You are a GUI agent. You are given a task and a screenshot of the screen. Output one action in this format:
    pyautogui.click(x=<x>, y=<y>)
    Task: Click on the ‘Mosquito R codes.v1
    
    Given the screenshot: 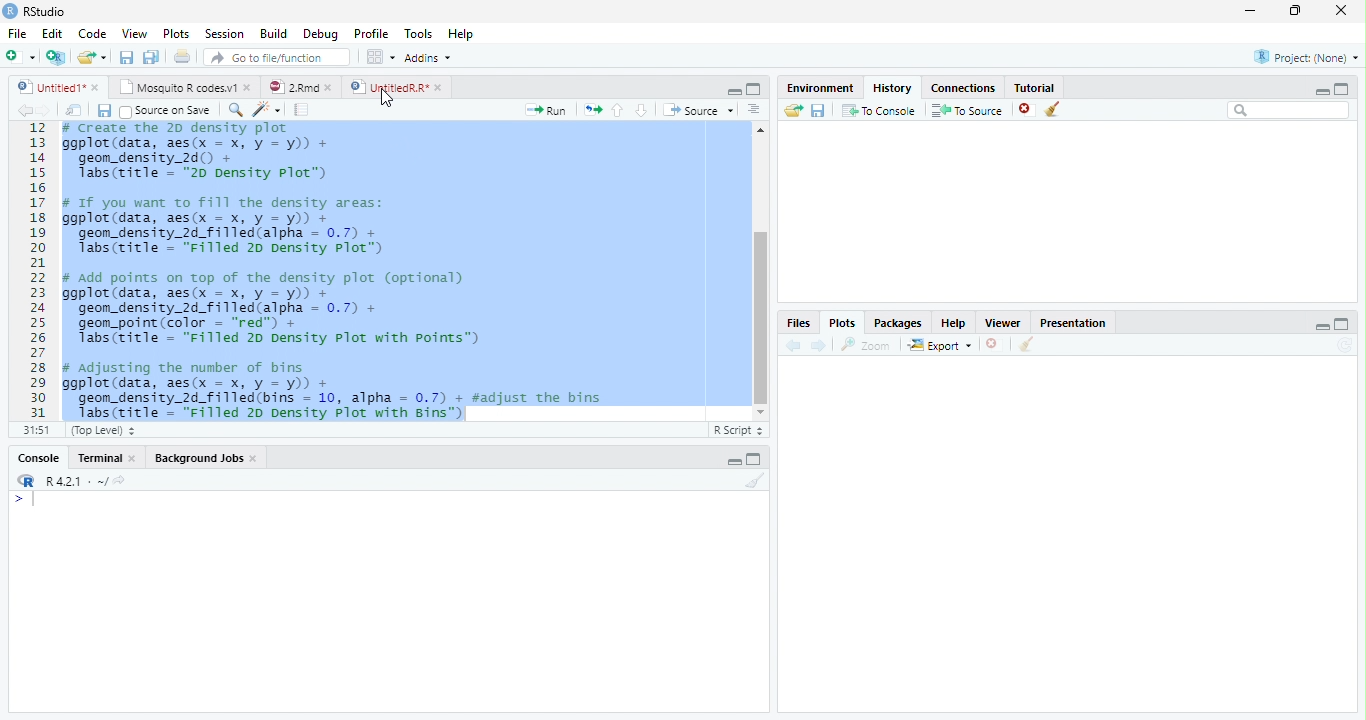 What is the action you would take?
    pyautogui.click(x=178, y=87)
    